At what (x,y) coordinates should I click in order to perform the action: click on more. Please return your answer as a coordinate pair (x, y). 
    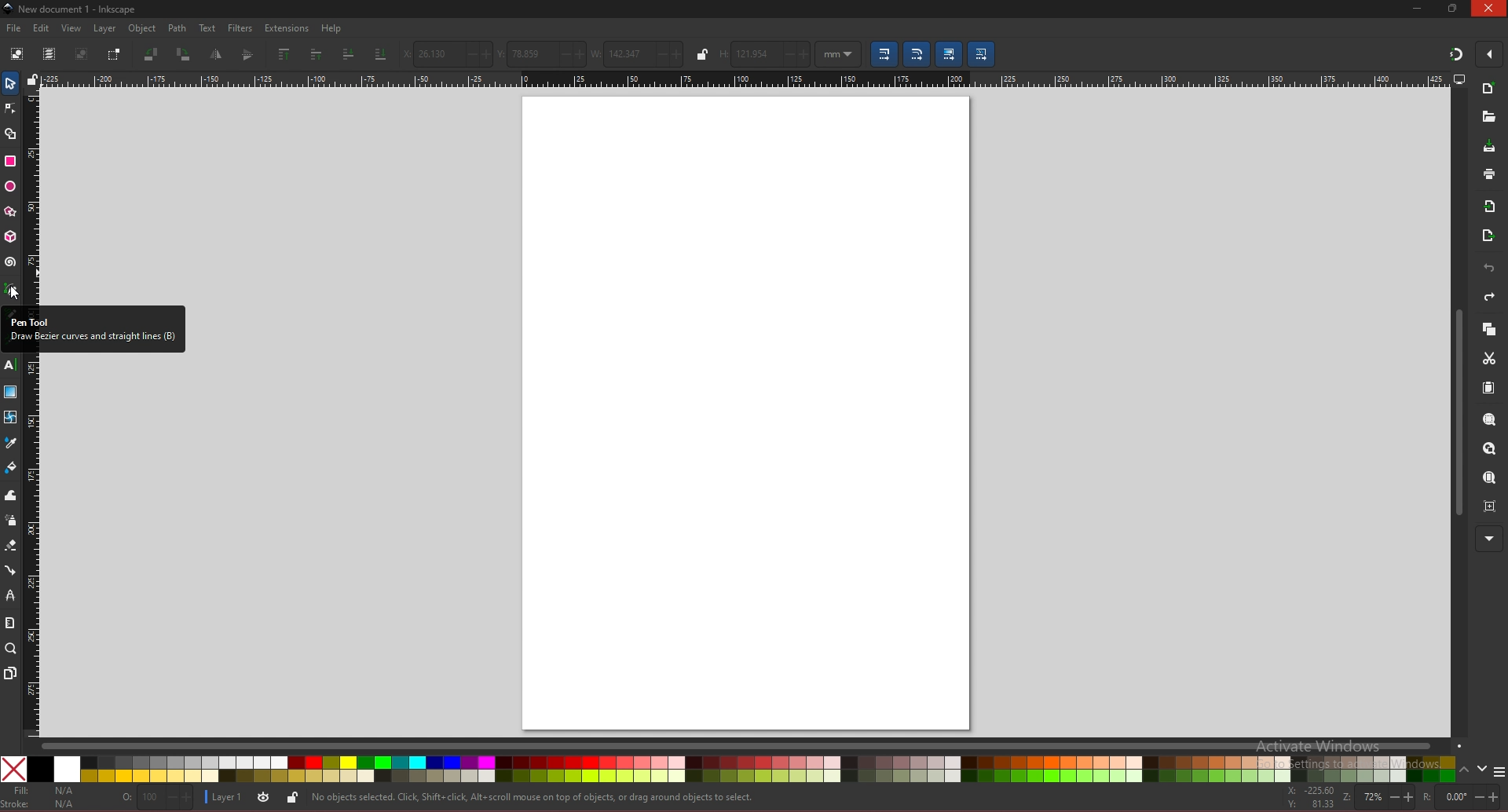
    Looking at the image, I should click on (1489, 540).